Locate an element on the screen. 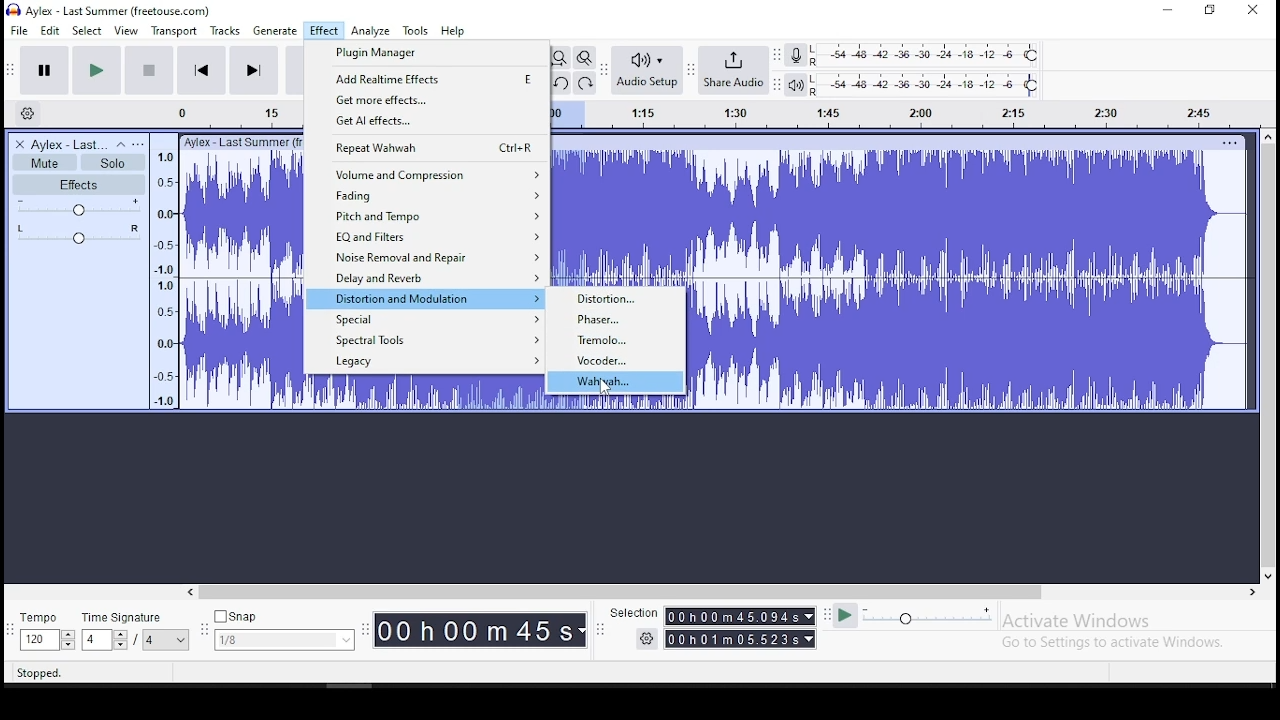 Image resolution: width=1280 pixels, height=720 pixels. tempo is located at coordinates (45, 633).